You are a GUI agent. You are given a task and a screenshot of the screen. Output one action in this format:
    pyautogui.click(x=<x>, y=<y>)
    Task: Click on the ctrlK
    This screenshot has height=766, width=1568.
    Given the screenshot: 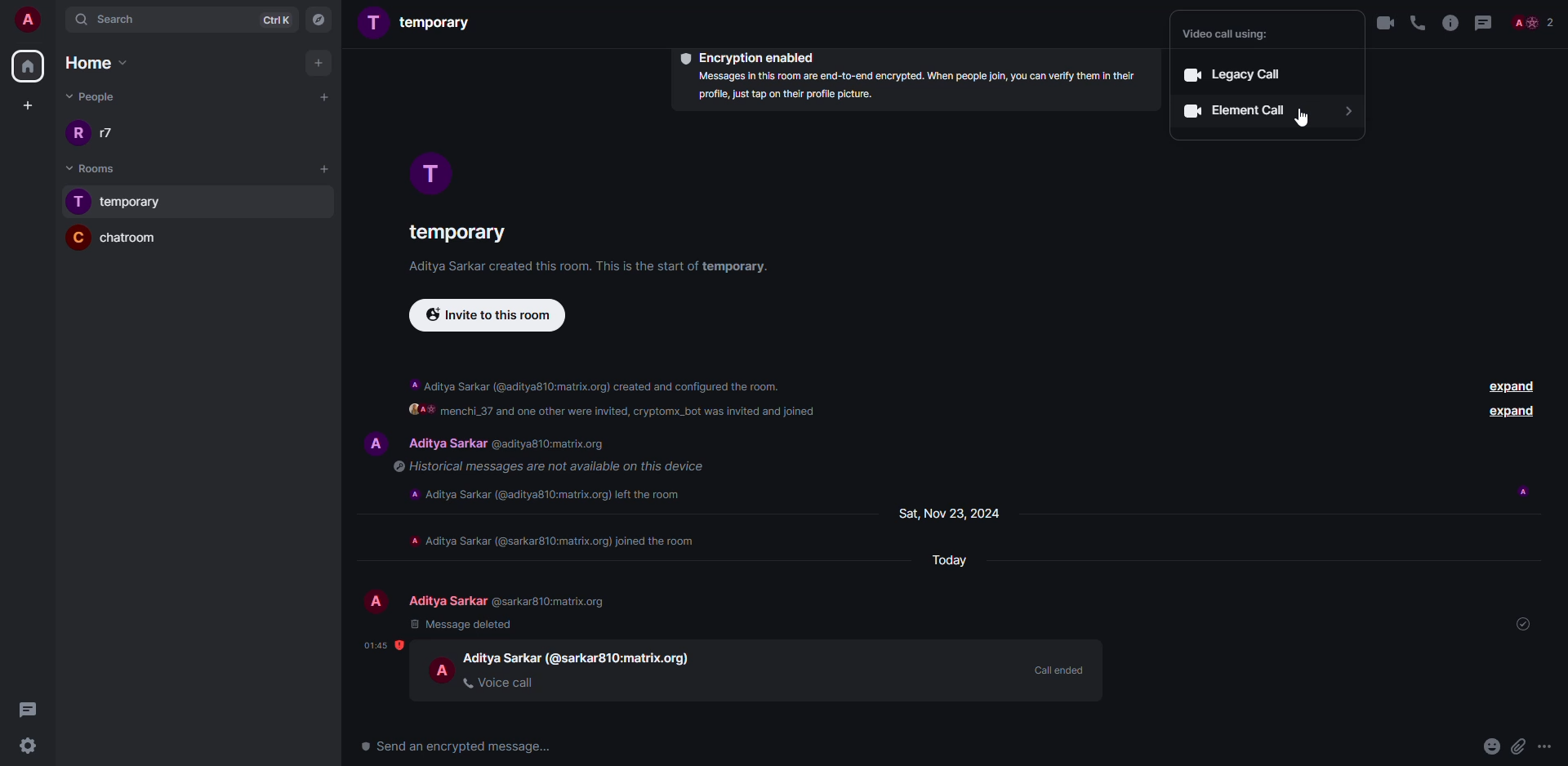 What is the action you would take?
    pyautogui.click(x=271, y=19)
    